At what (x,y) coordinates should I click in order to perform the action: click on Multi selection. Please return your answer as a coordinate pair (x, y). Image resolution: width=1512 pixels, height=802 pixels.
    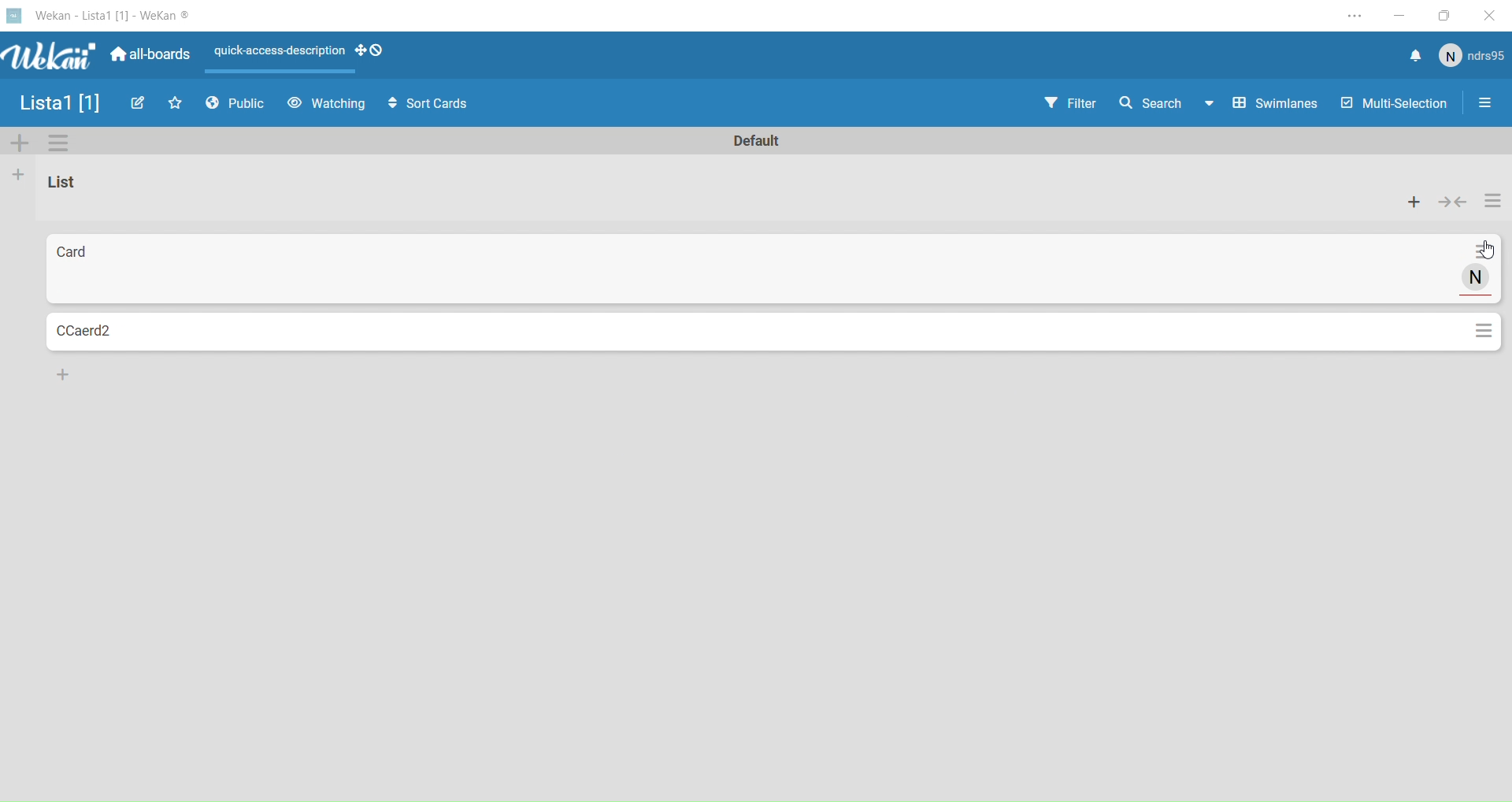
    Looking at the image, I should click on (1396, 106).